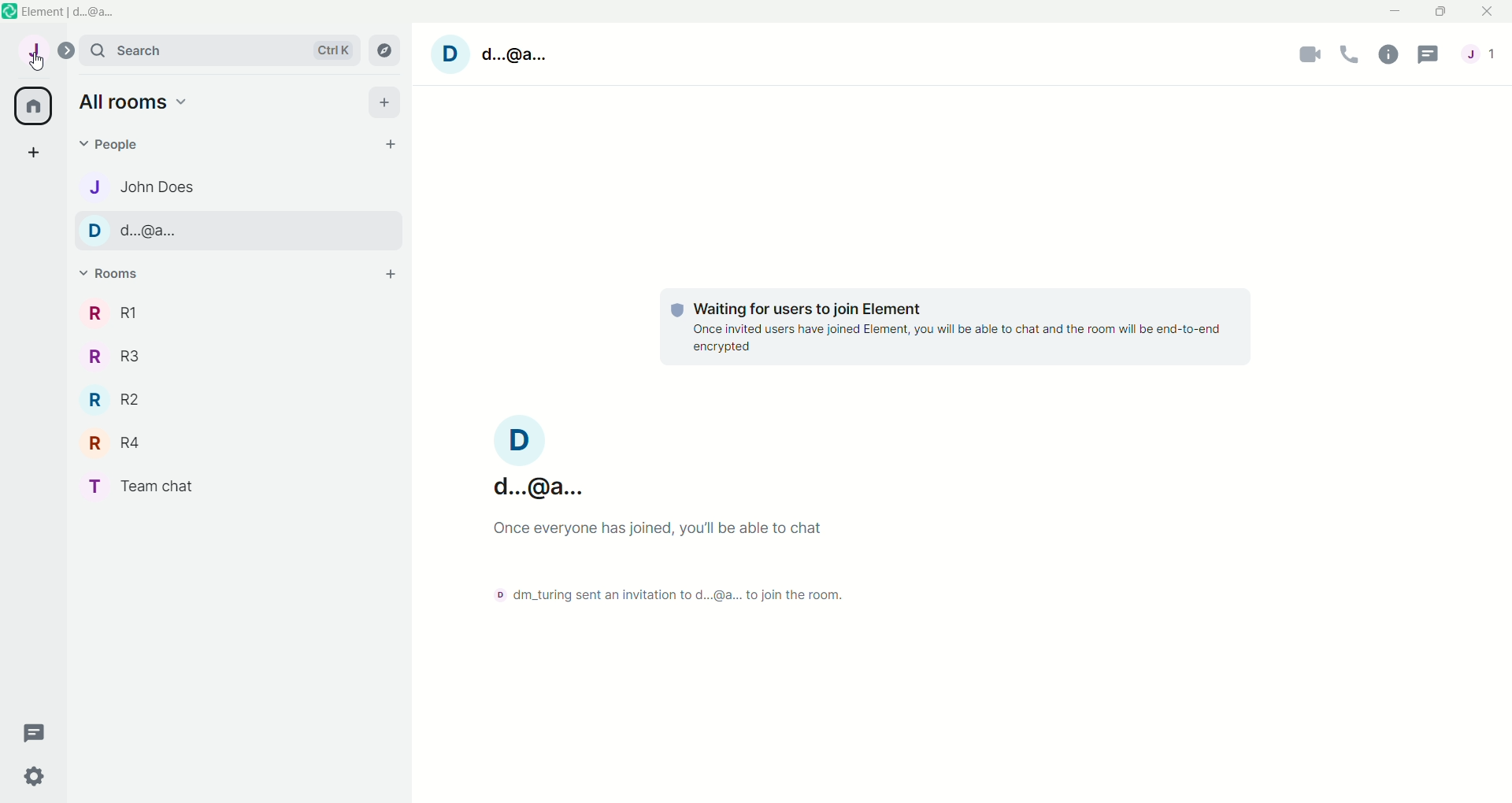  I want to click on R R1, so click(117, 313).